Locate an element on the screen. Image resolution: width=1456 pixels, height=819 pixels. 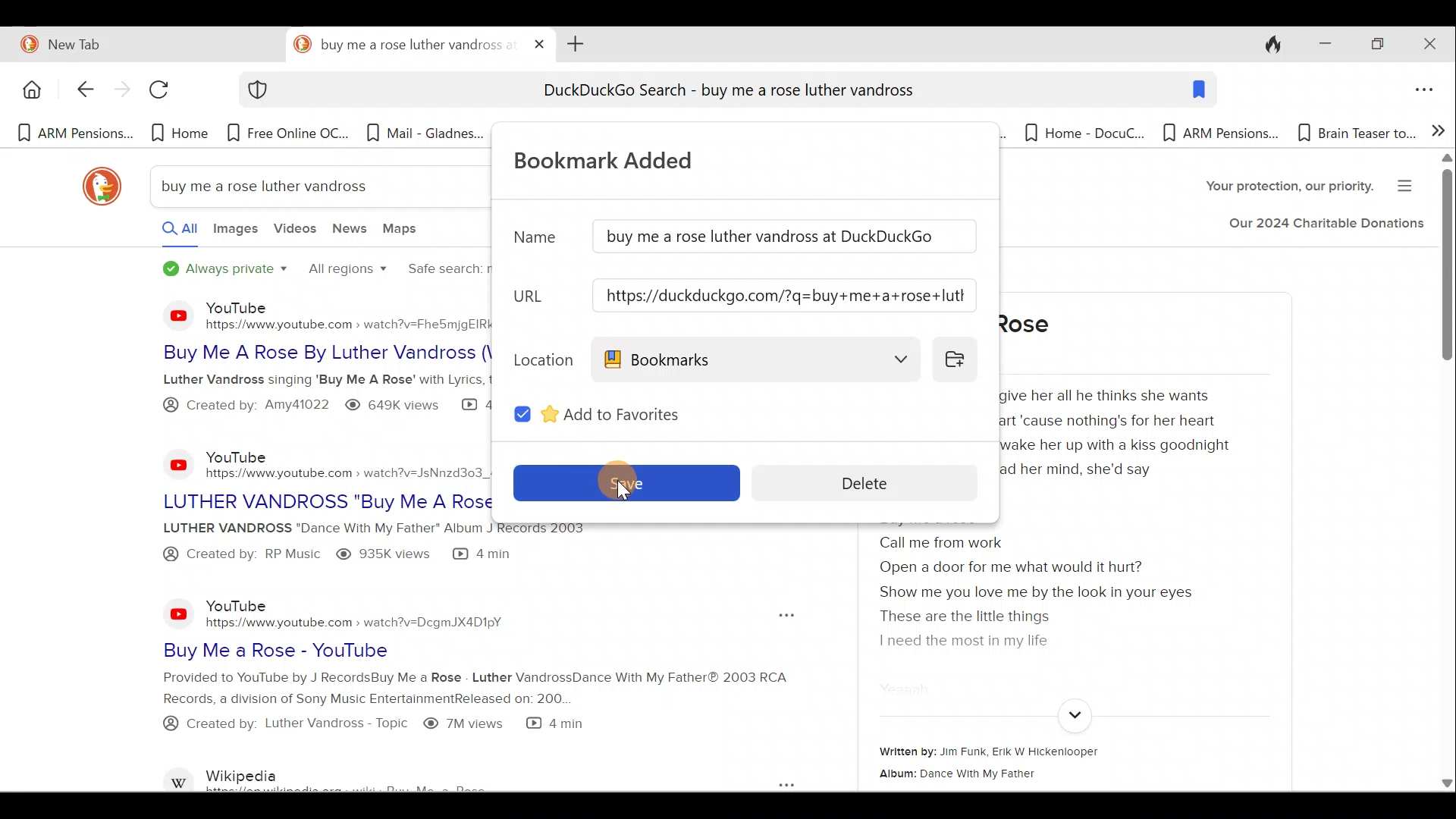
Buy Me a Rose - YouTube is located at coordinates (397, 650).